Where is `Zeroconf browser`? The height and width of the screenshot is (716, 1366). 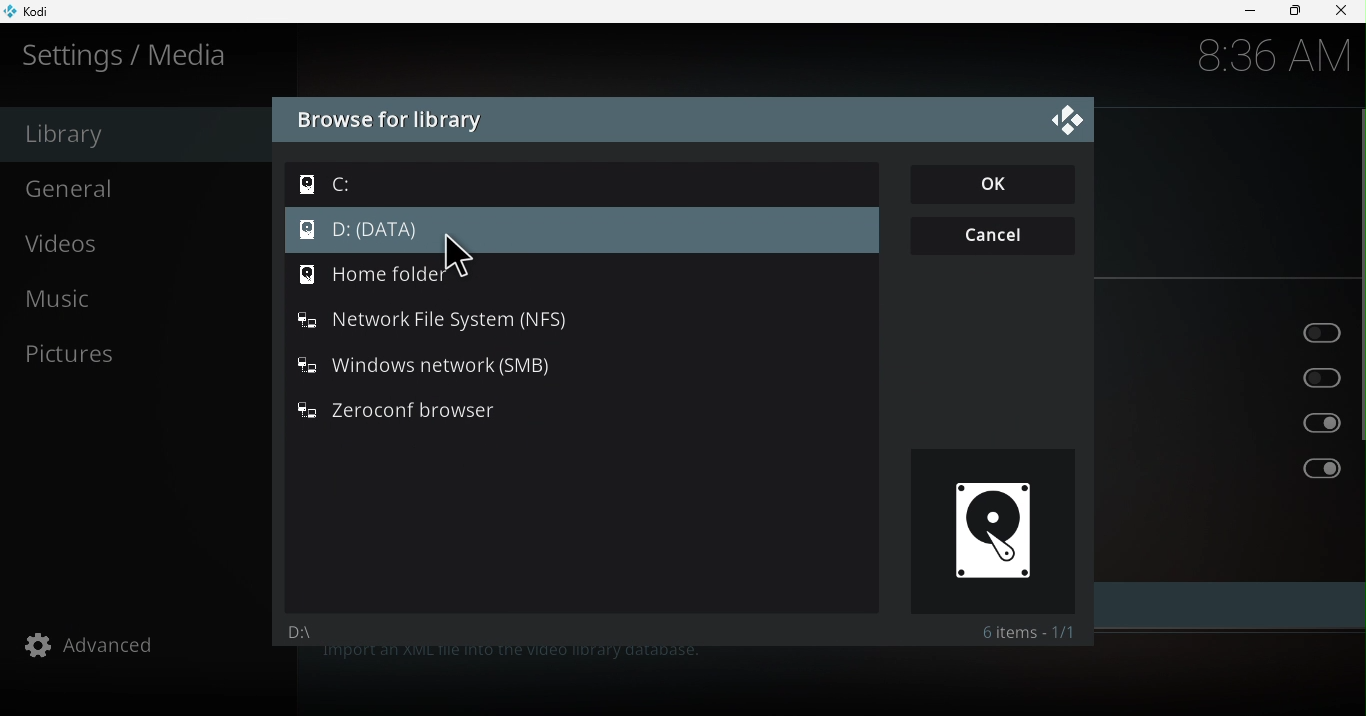
Zeroconf browser is located at coordinates (569, 408).